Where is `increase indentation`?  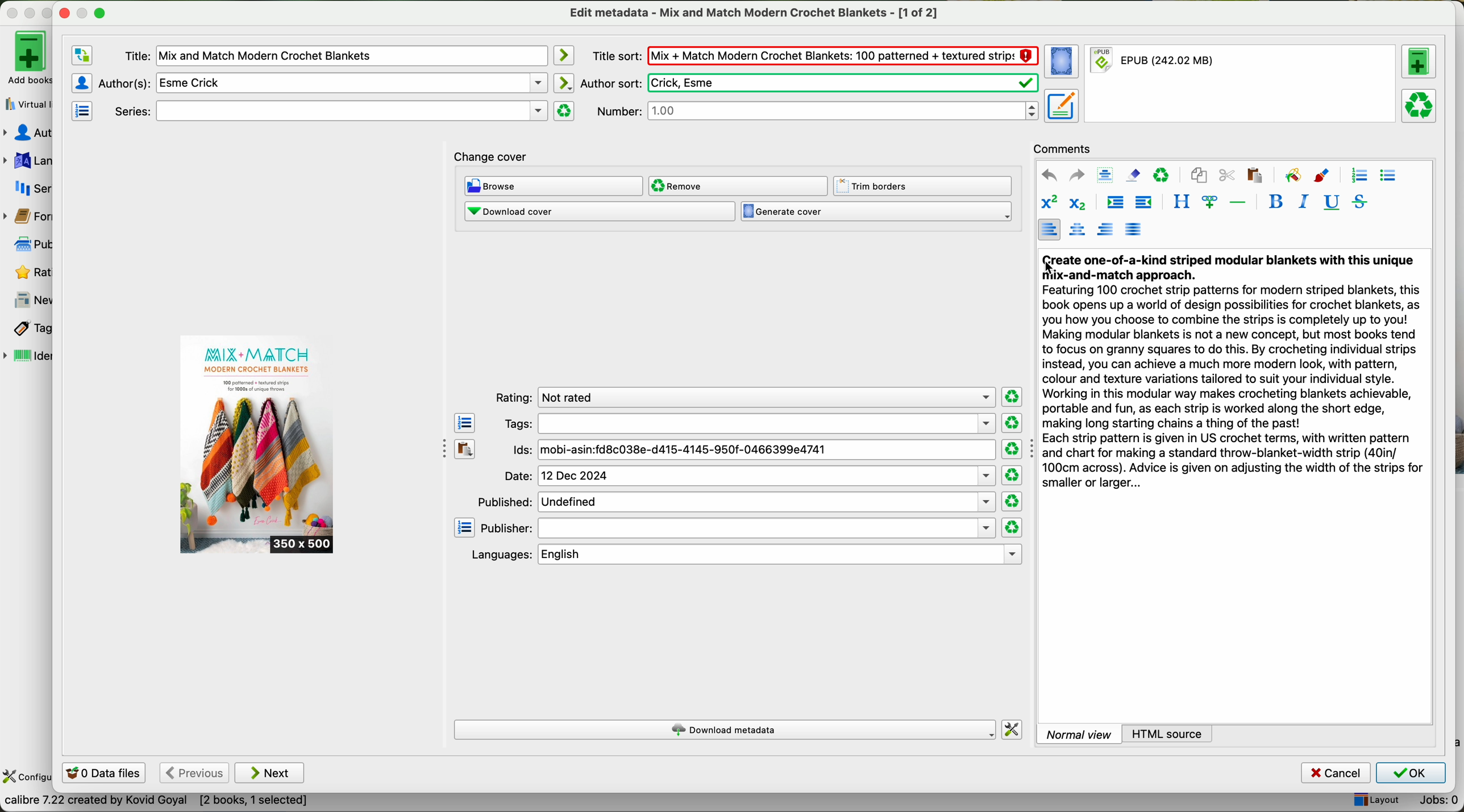 increase indentation is located at coordinates (1114, 204).